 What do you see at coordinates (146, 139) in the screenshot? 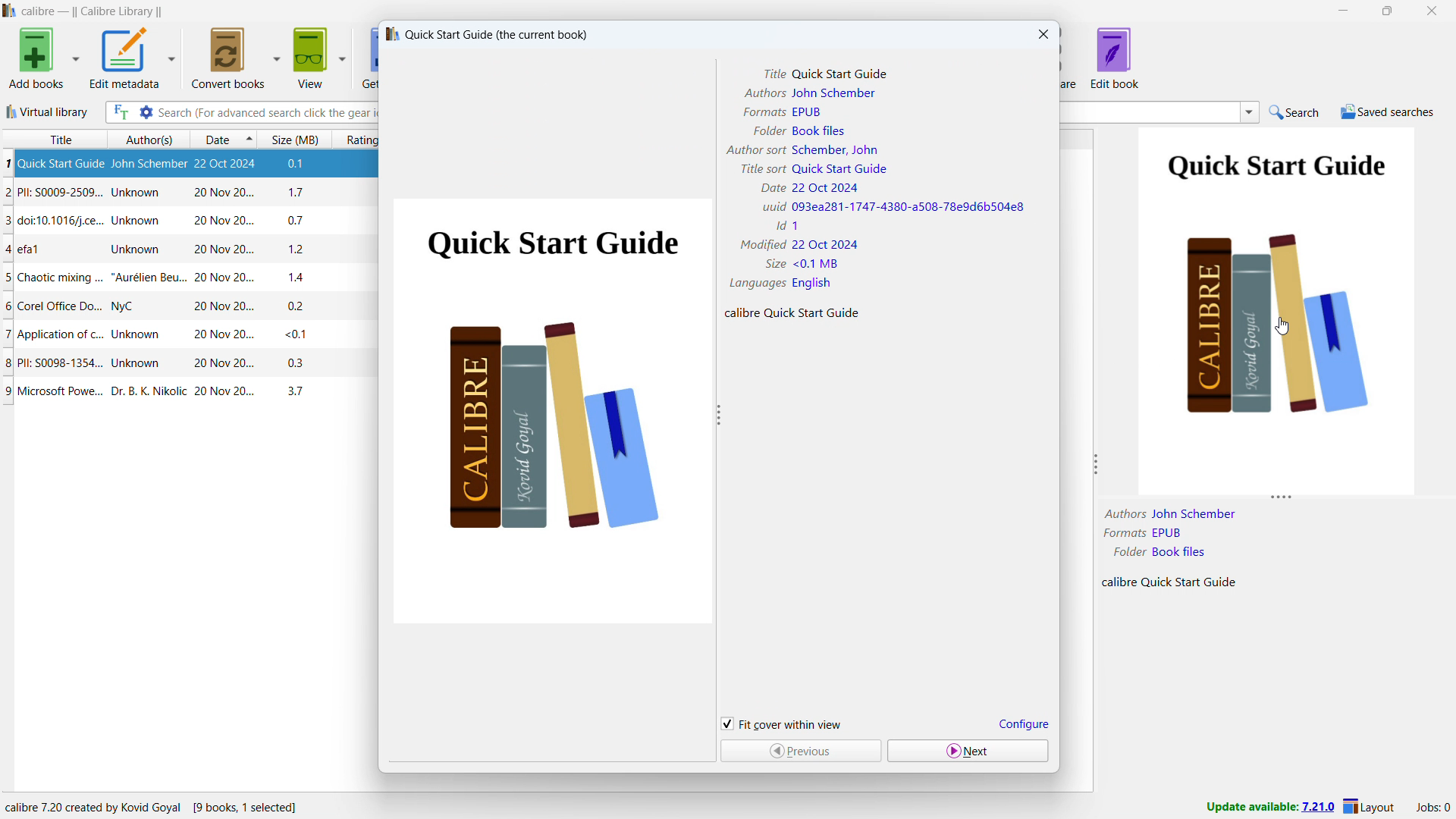
I see `authors` at bounding box center [146, 139].